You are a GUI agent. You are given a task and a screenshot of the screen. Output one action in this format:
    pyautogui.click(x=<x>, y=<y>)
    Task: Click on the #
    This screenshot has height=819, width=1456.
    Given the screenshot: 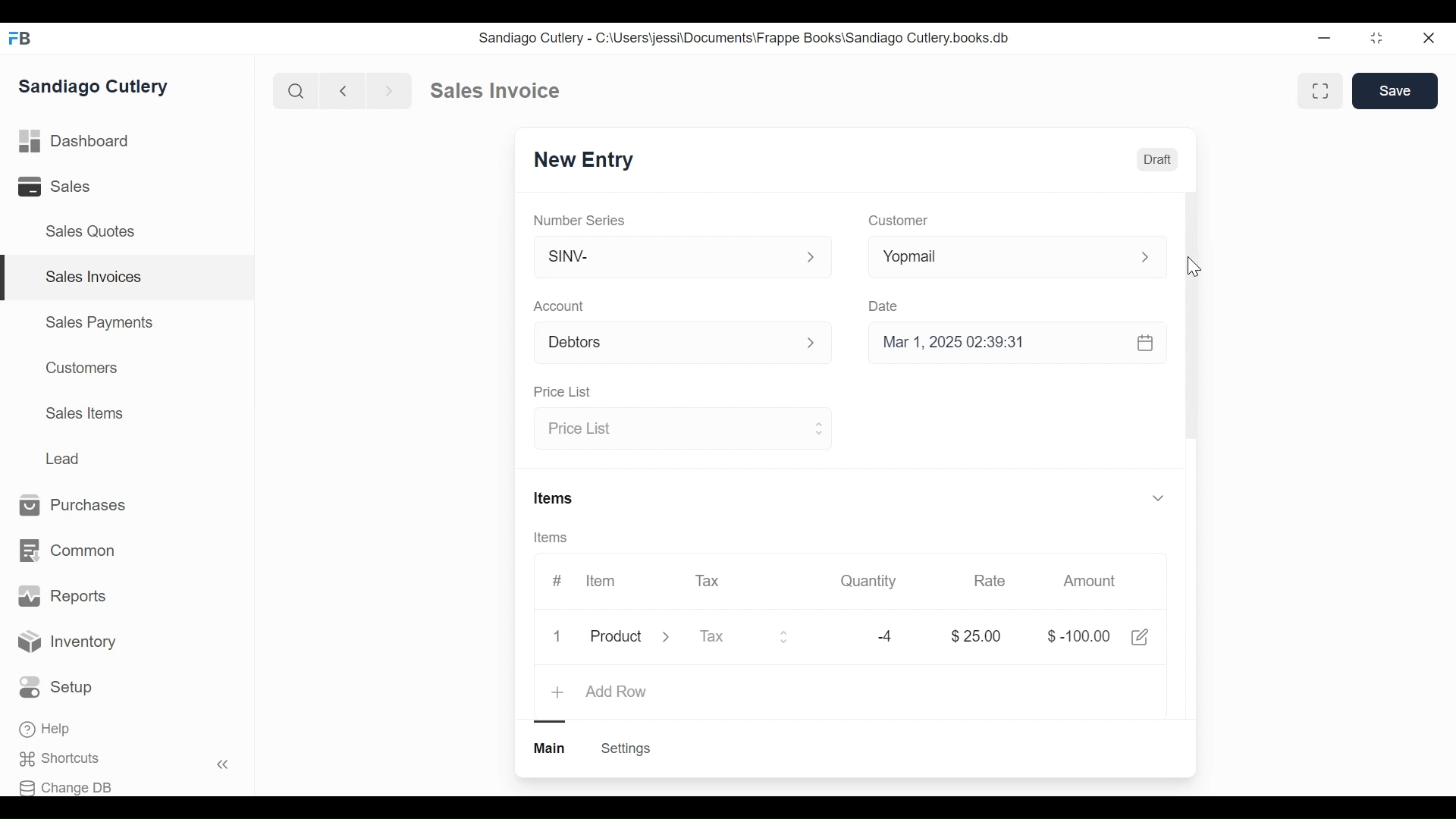 What is the action you would take?
    pyautogui.click(x=557, y=579)
    